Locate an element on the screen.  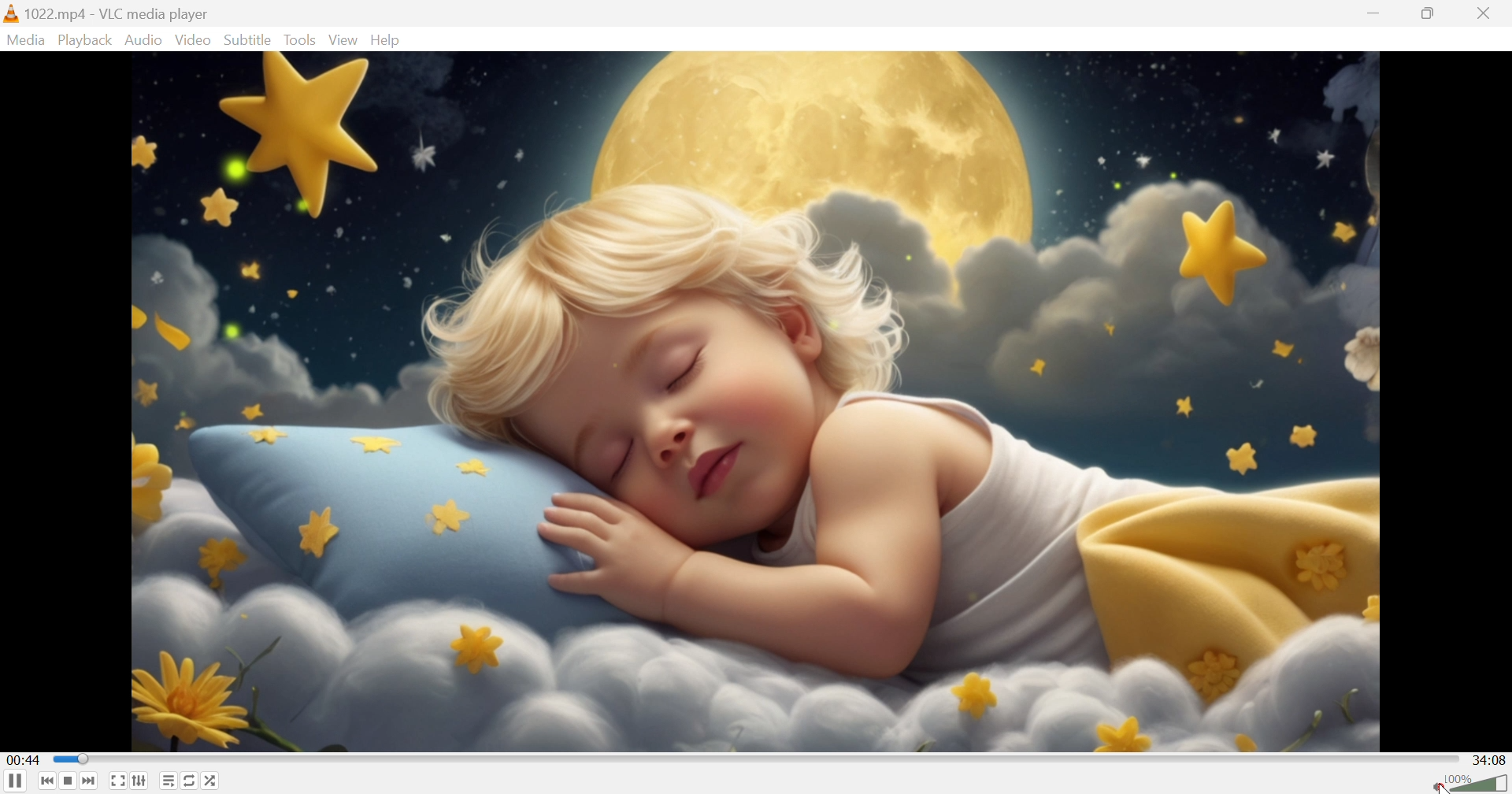
cursor is located at coordinates (1438, 788).